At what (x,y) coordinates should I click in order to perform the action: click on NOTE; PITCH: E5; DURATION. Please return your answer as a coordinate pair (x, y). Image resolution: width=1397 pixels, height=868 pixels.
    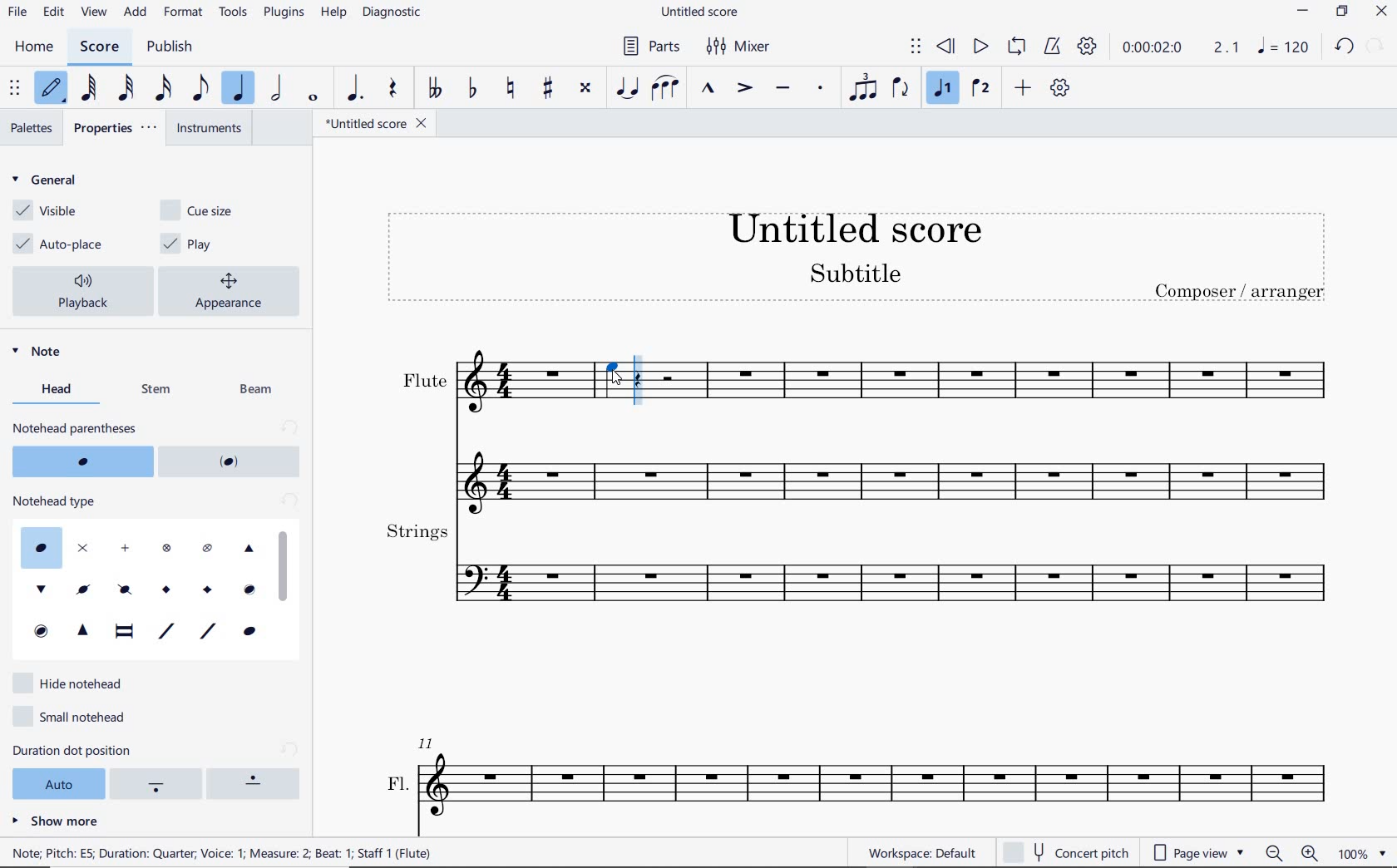
    Looking at the image, I should click on (233, 853).